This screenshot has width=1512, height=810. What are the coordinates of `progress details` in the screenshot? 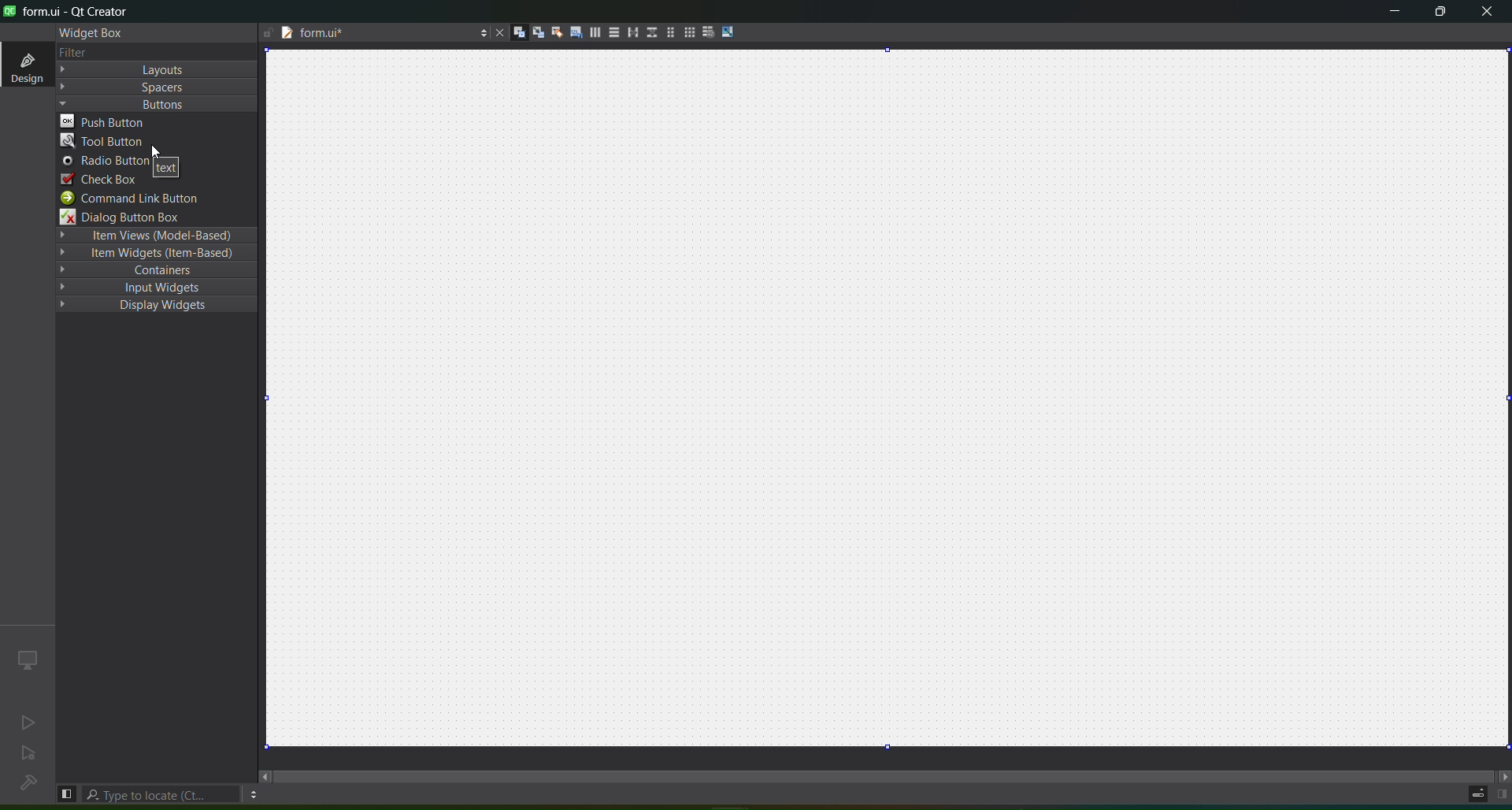 It's located at (1475, 795).